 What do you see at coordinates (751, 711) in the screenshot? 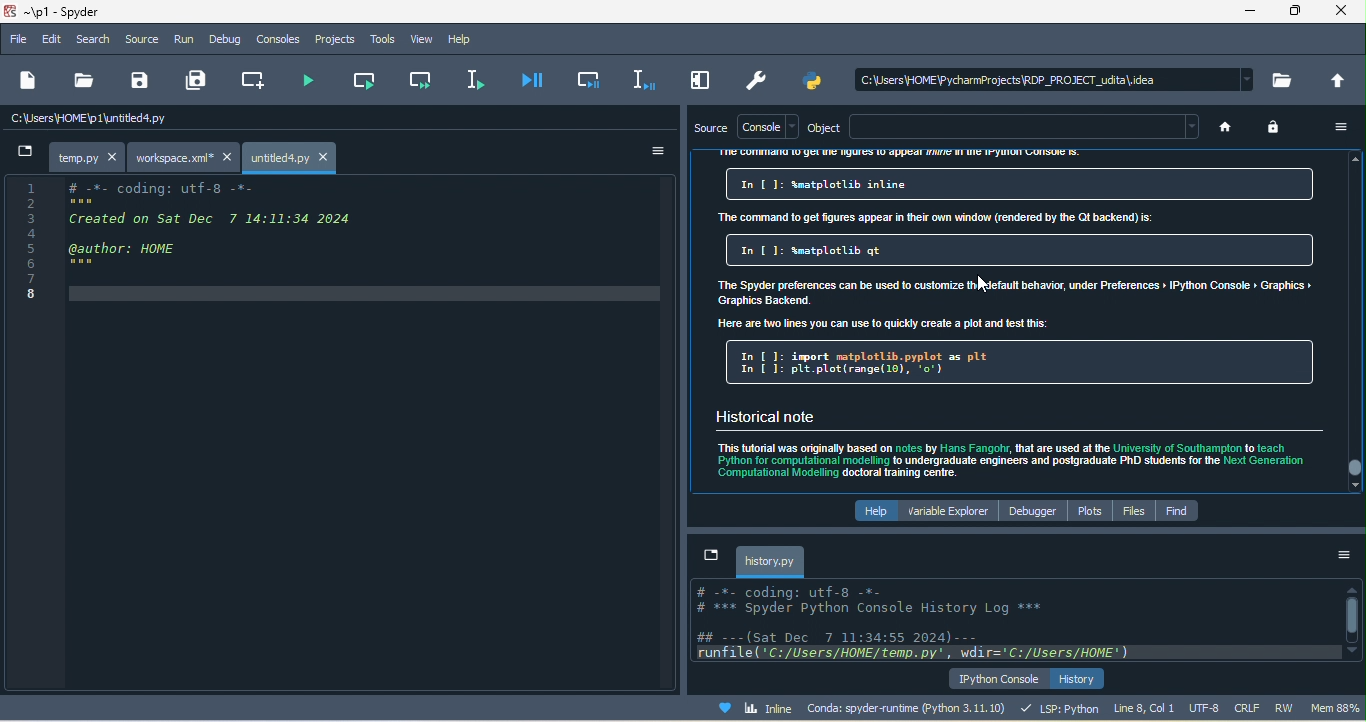
I see `inline` at bounding box center [751, 711].